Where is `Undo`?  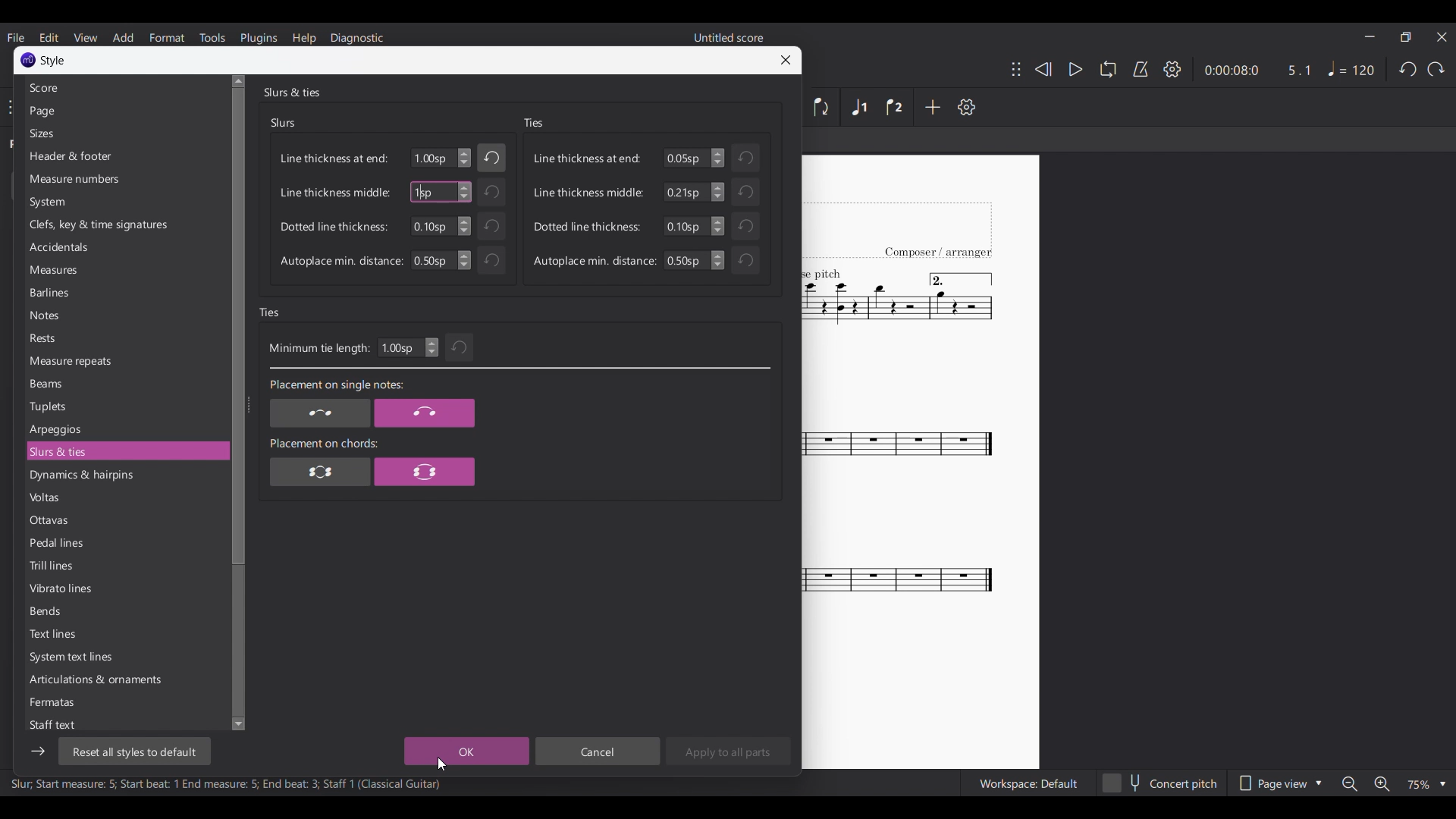
Undo is located at coordinates (491, 226).